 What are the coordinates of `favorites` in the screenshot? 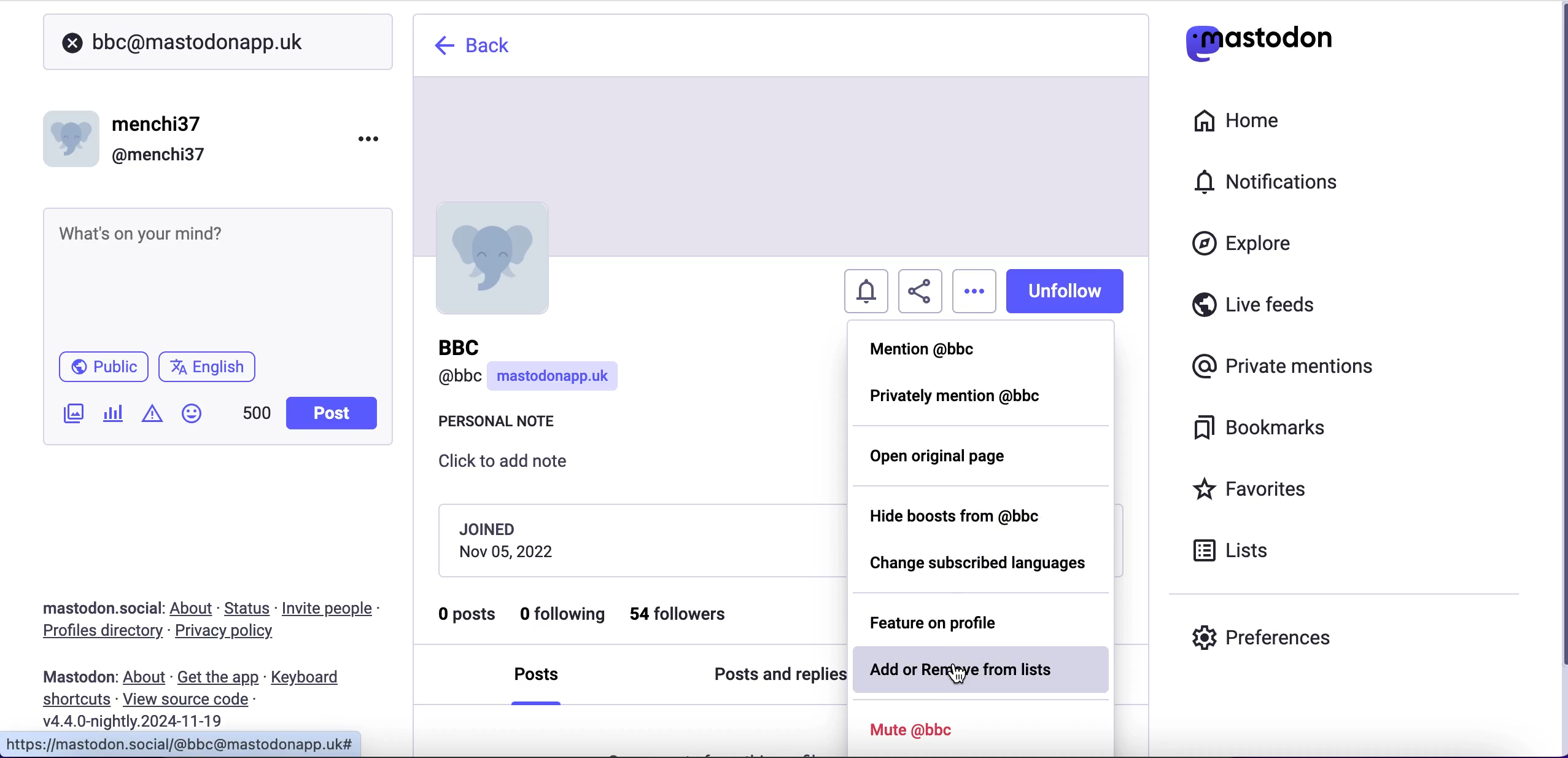 It's located at (1254, 491).